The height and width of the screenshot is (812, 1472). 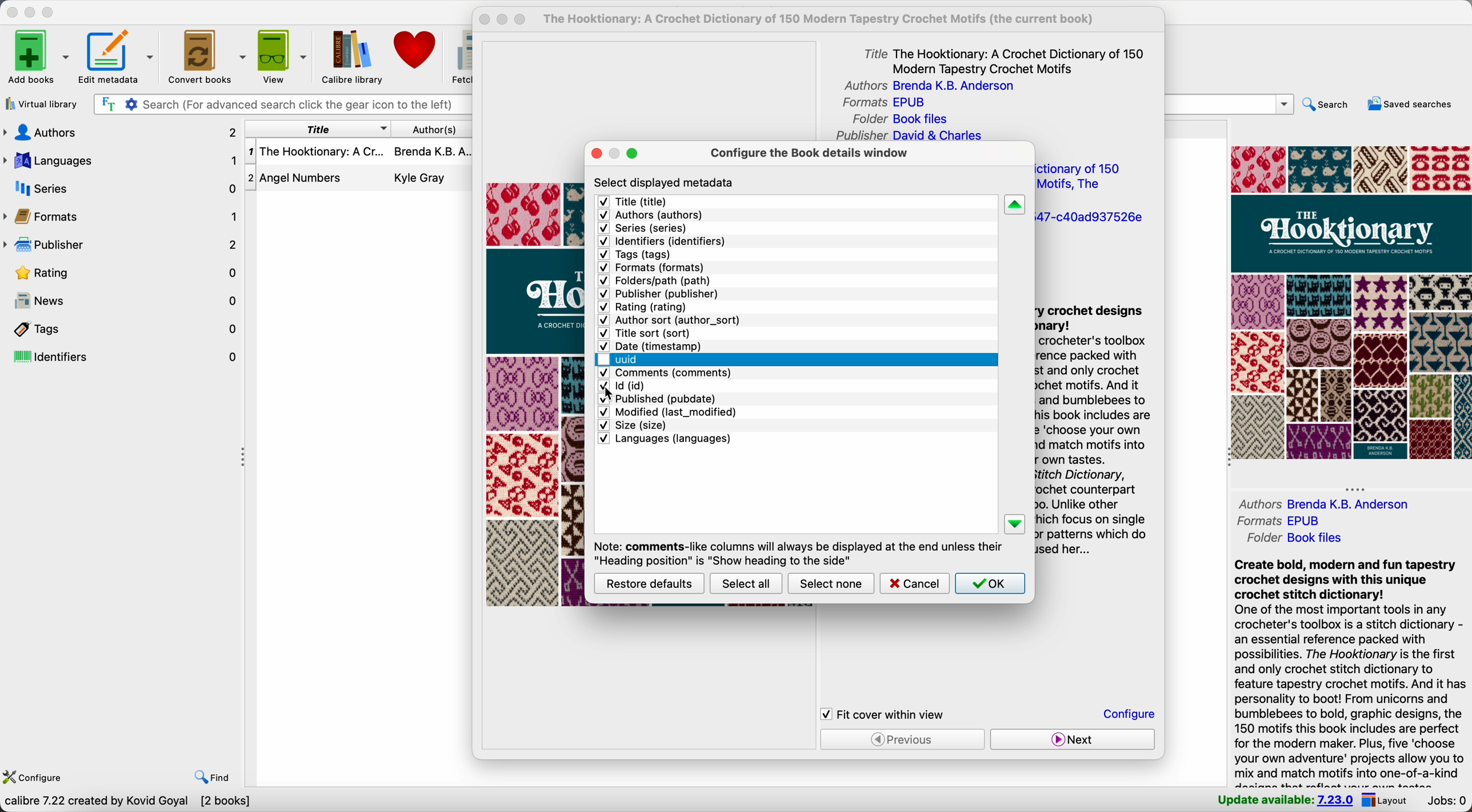 What do you see at coordinates (1350, 302) in the screenshot?
I see `book cover preview` at bounding box center [1350, 302].